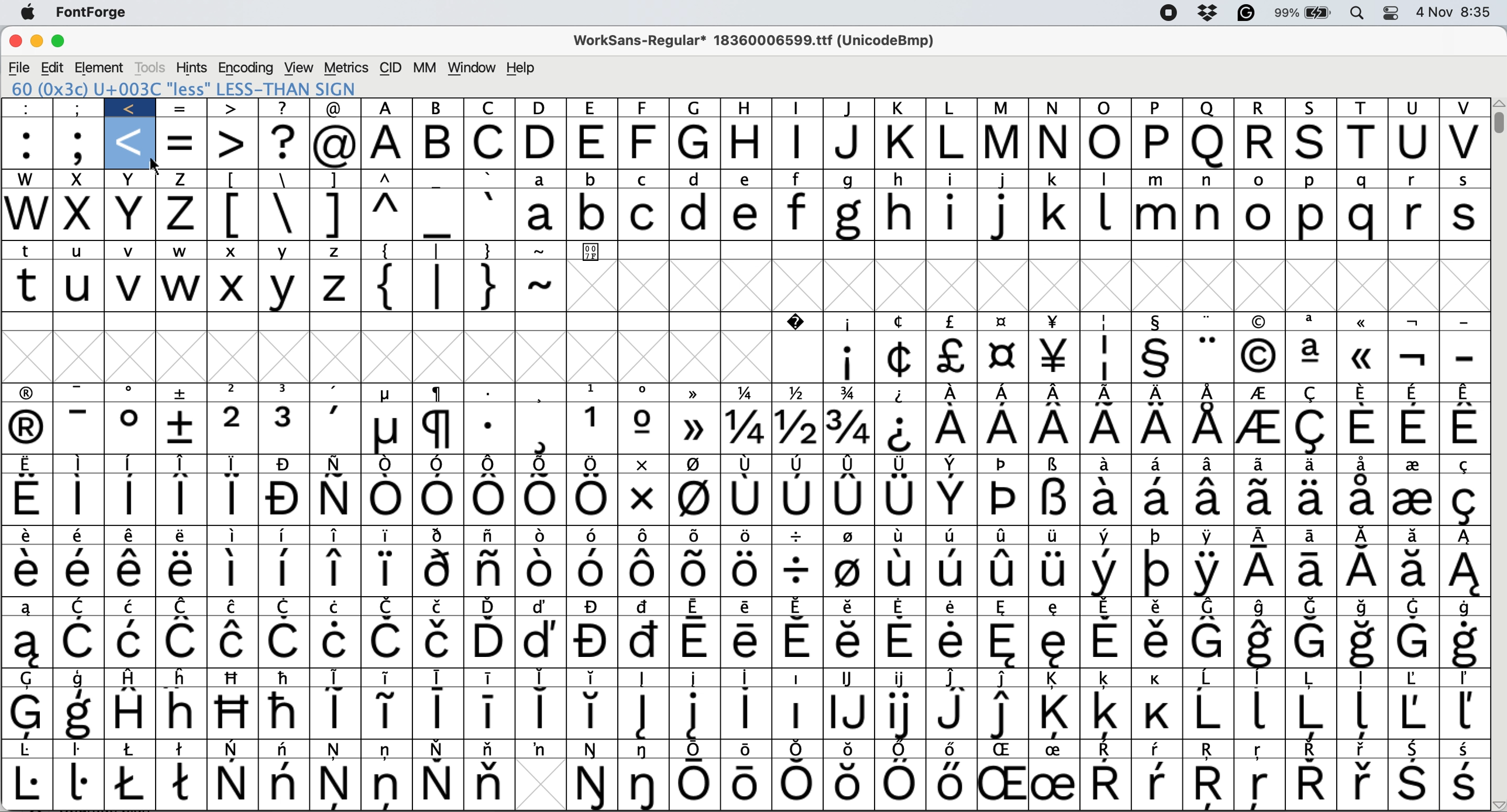 The image size is (1507, 812). I want to click on Symbol, so click(952, 535).